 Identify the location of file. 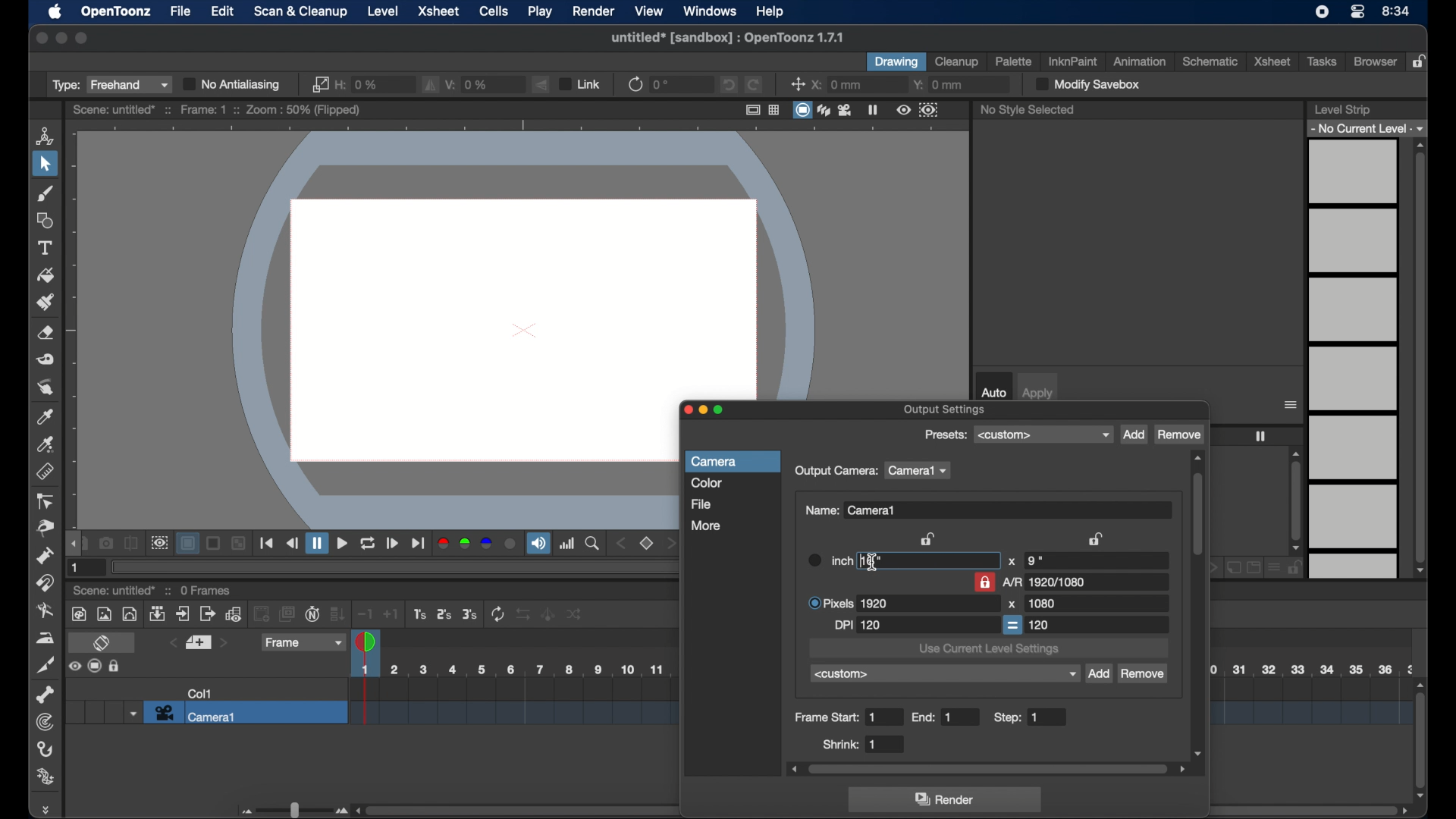
(701, 504).